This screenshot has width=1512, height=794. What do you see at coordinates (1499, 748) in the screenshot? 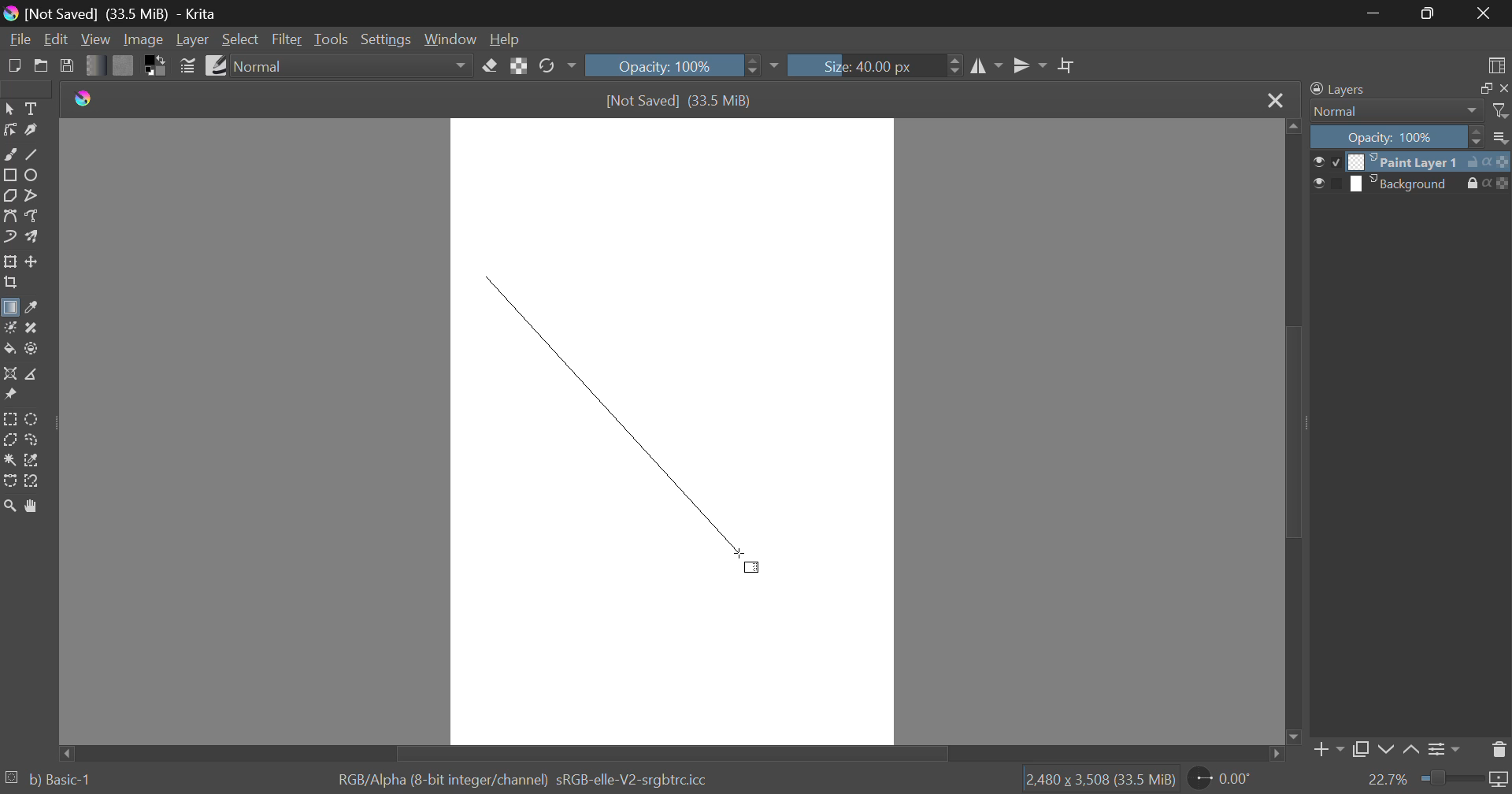
I see `Delete Layer` at bounding box center [1499, 748].